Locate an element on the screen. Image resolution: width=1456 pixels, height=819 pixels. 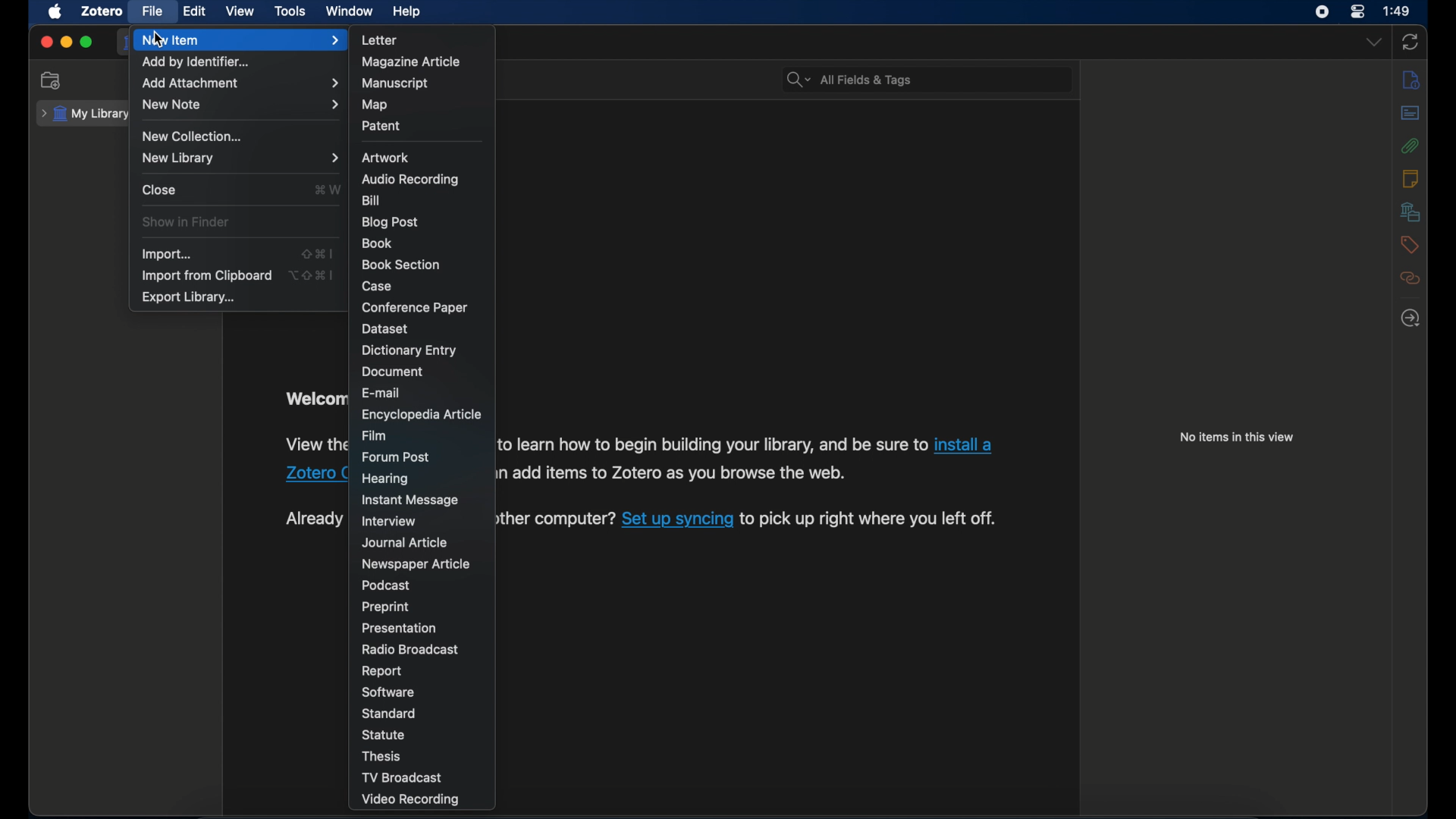
magazine article is located at coordinates (411, 61).